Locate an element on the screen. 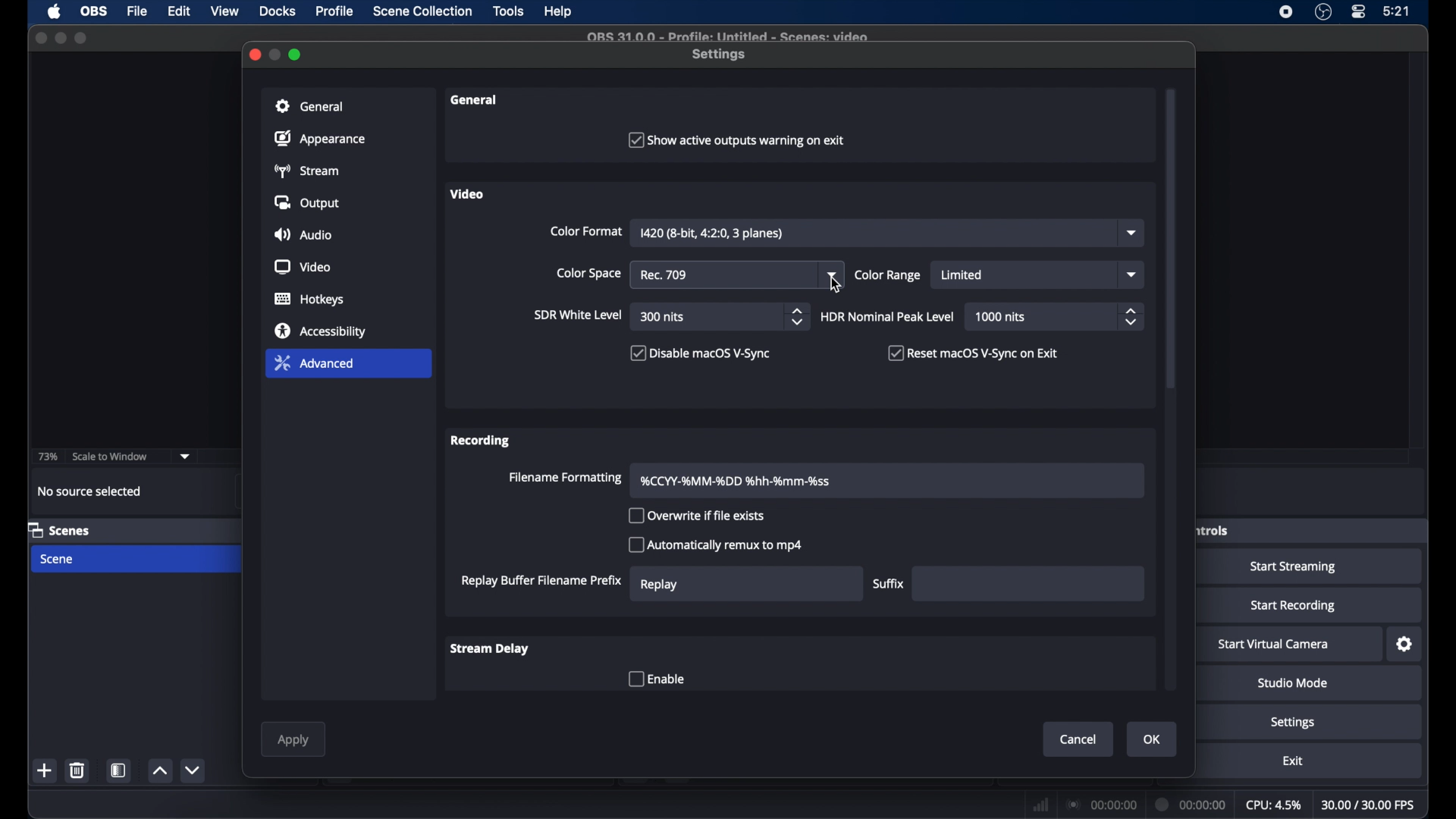 The height and width of the screenshot is (819, 1456). 1000 nits is located at coordinates (1001, 317).